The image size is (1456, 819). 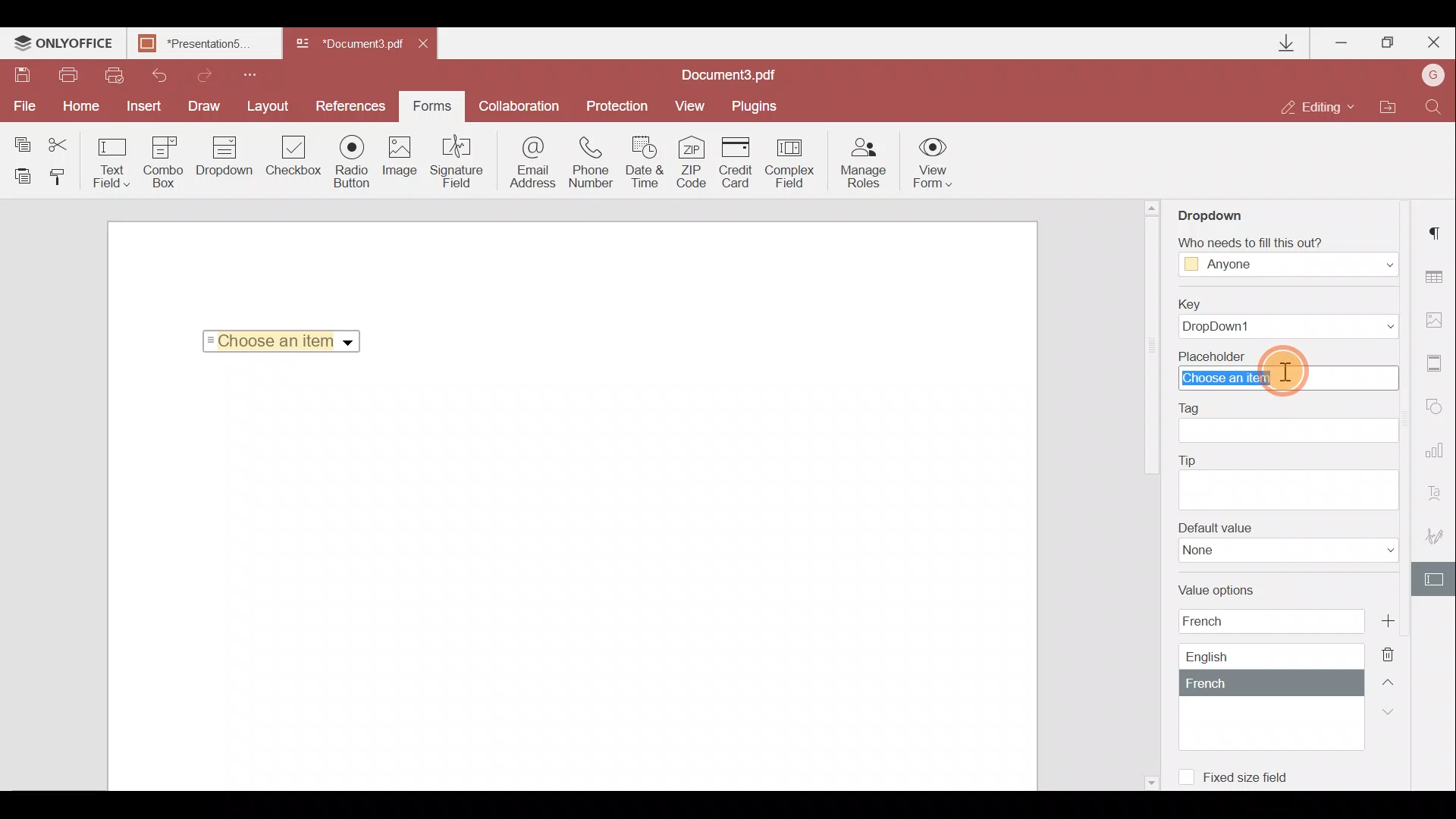 What do you see at coordinates (352, 161) in the screenshot?
I see `Radio button` at bounding box center [352, 161].